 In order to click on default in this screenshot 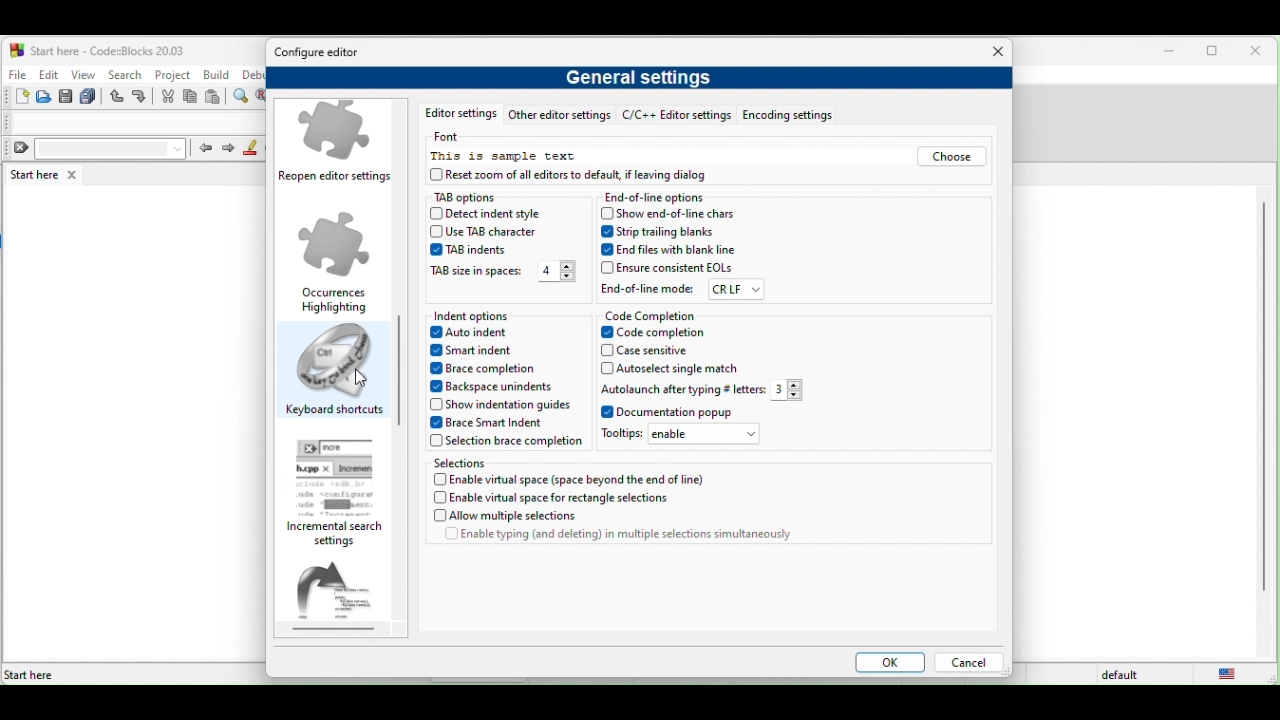, I will do `click(1123, 675)`.